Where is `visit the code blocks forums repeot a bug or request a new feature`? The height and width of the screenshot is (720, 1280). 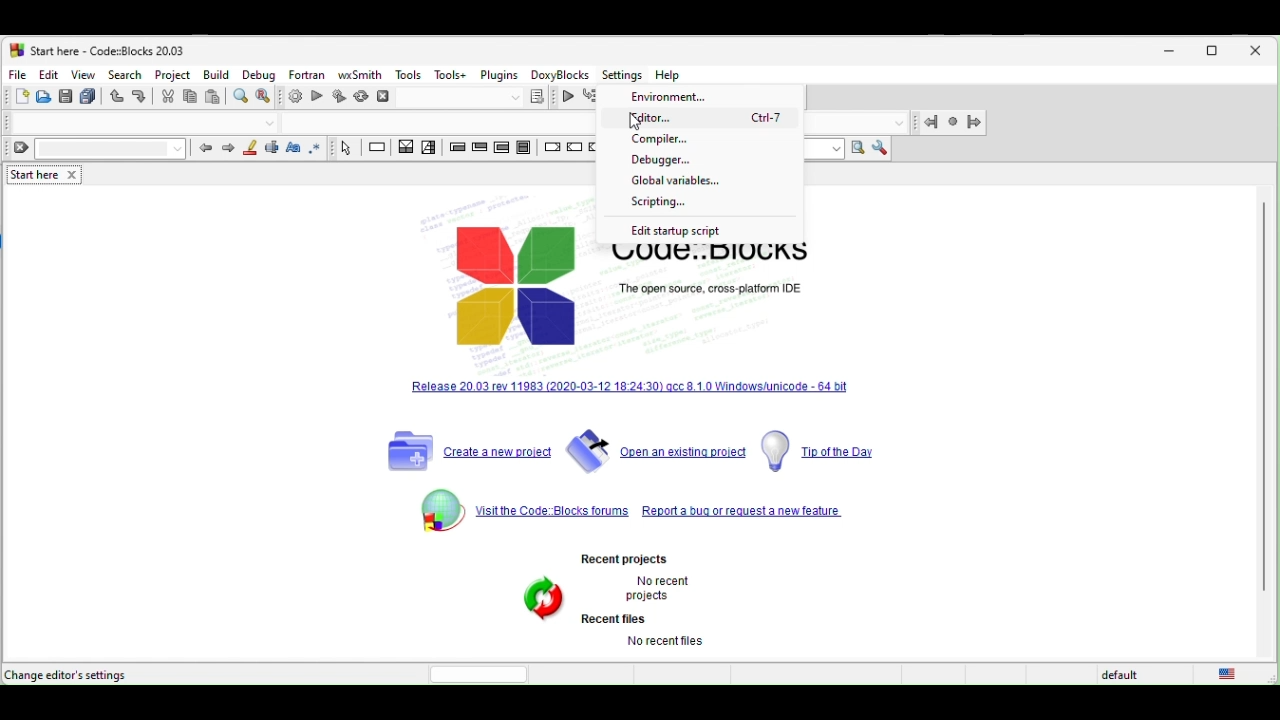
visit the code blocks forums repeot a bug or request a new feature is located at coordinates (634, 510).